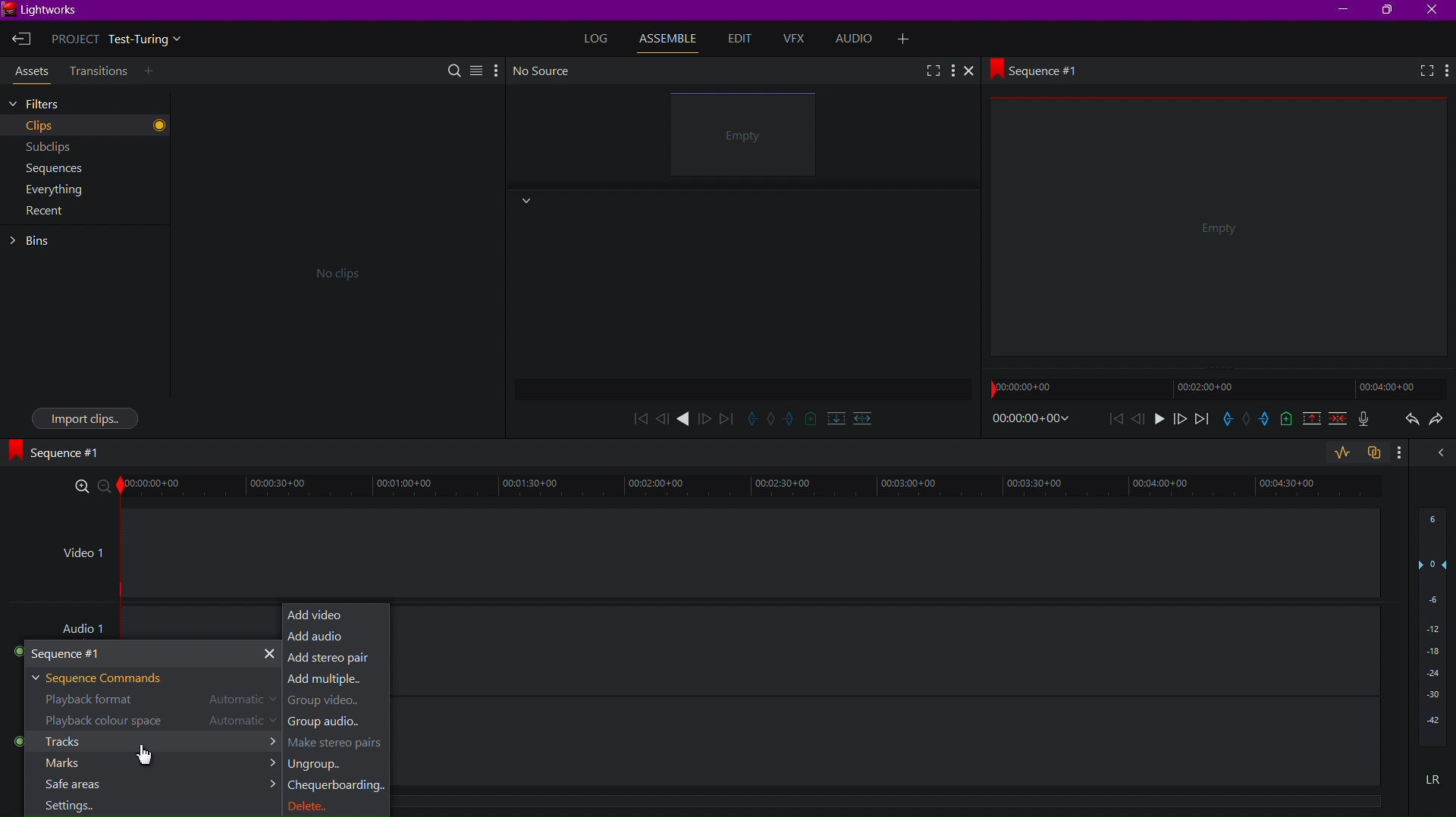  Describe the element at coordinates (1041, 69) in the screenshot. I see `Sequence #1` at that location.